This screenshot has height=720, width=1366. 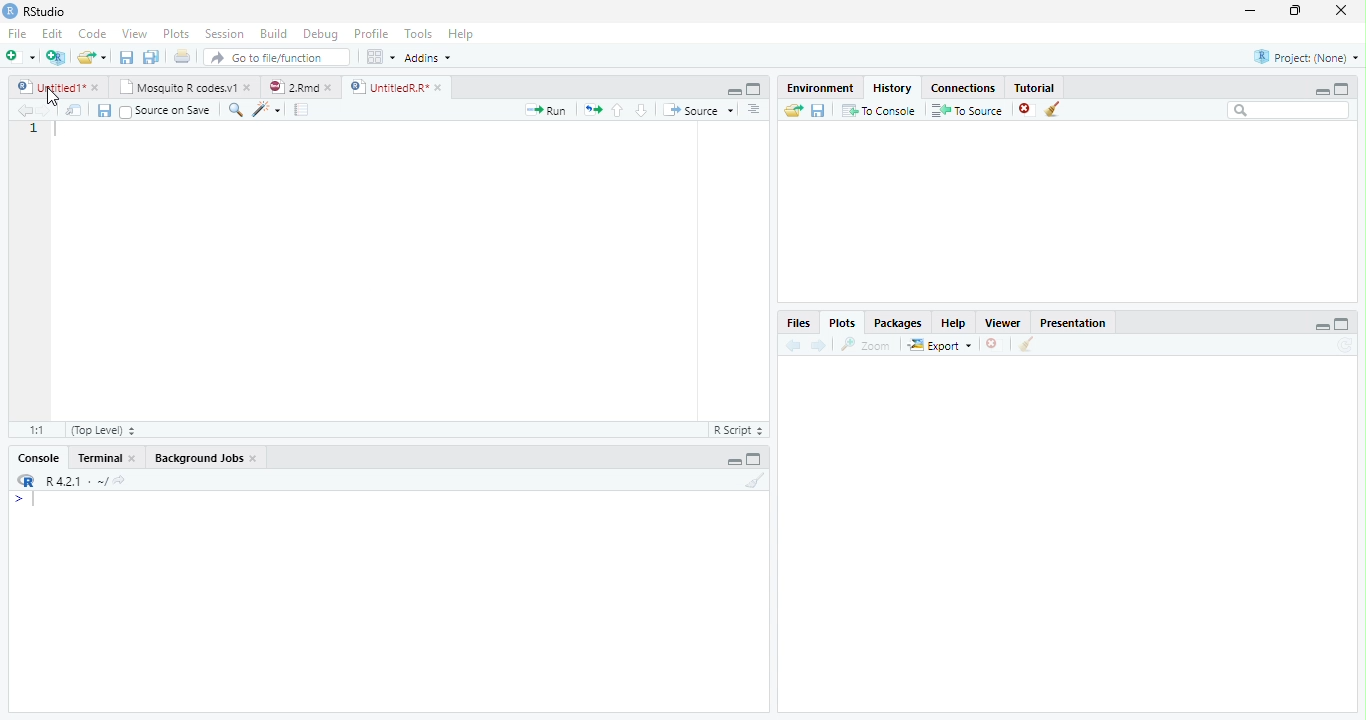 I want to click on minimize, so click(x=735, y=92).